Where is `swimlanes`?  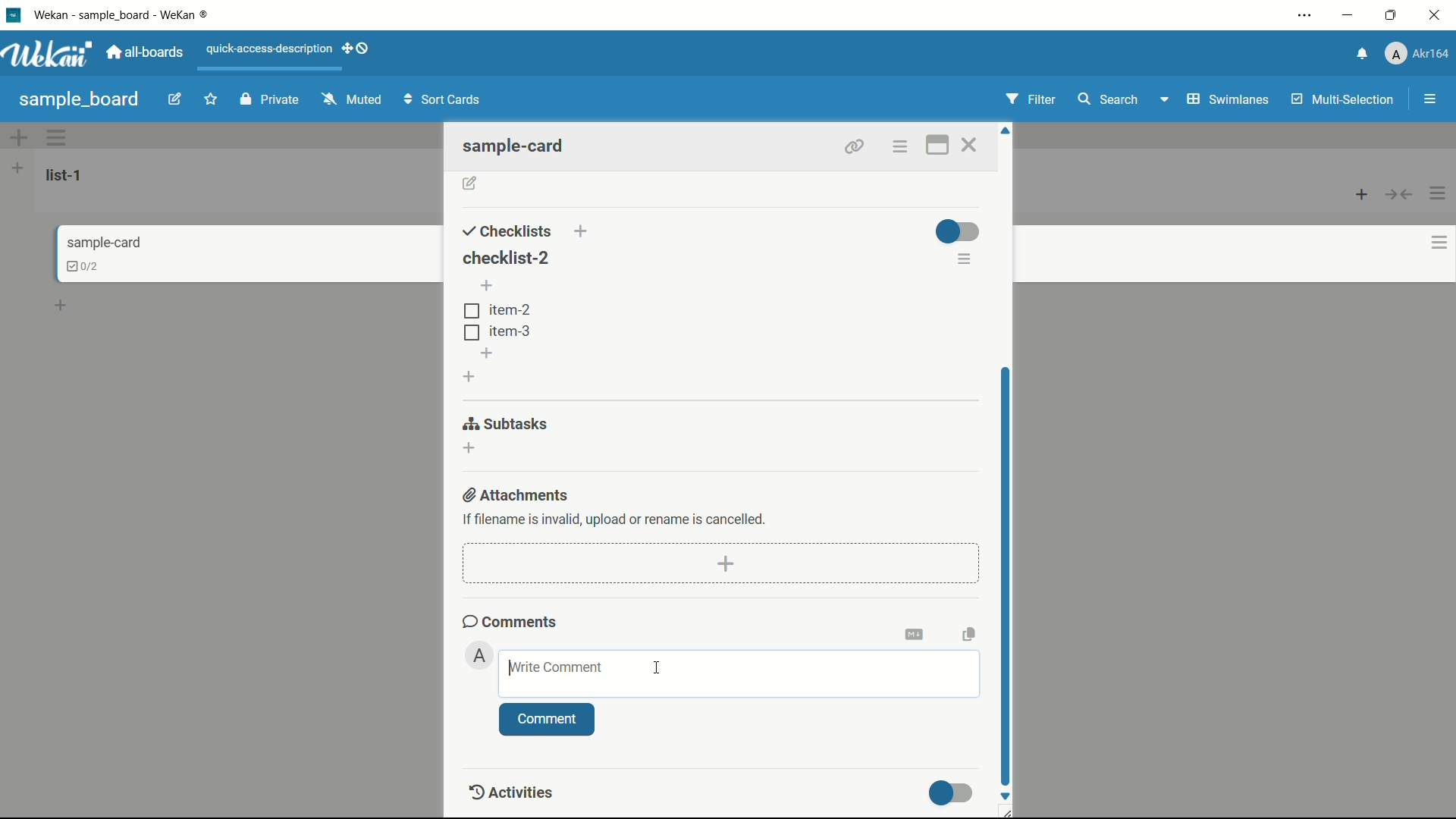 swimlanes is located at coordinates (1227, 99).